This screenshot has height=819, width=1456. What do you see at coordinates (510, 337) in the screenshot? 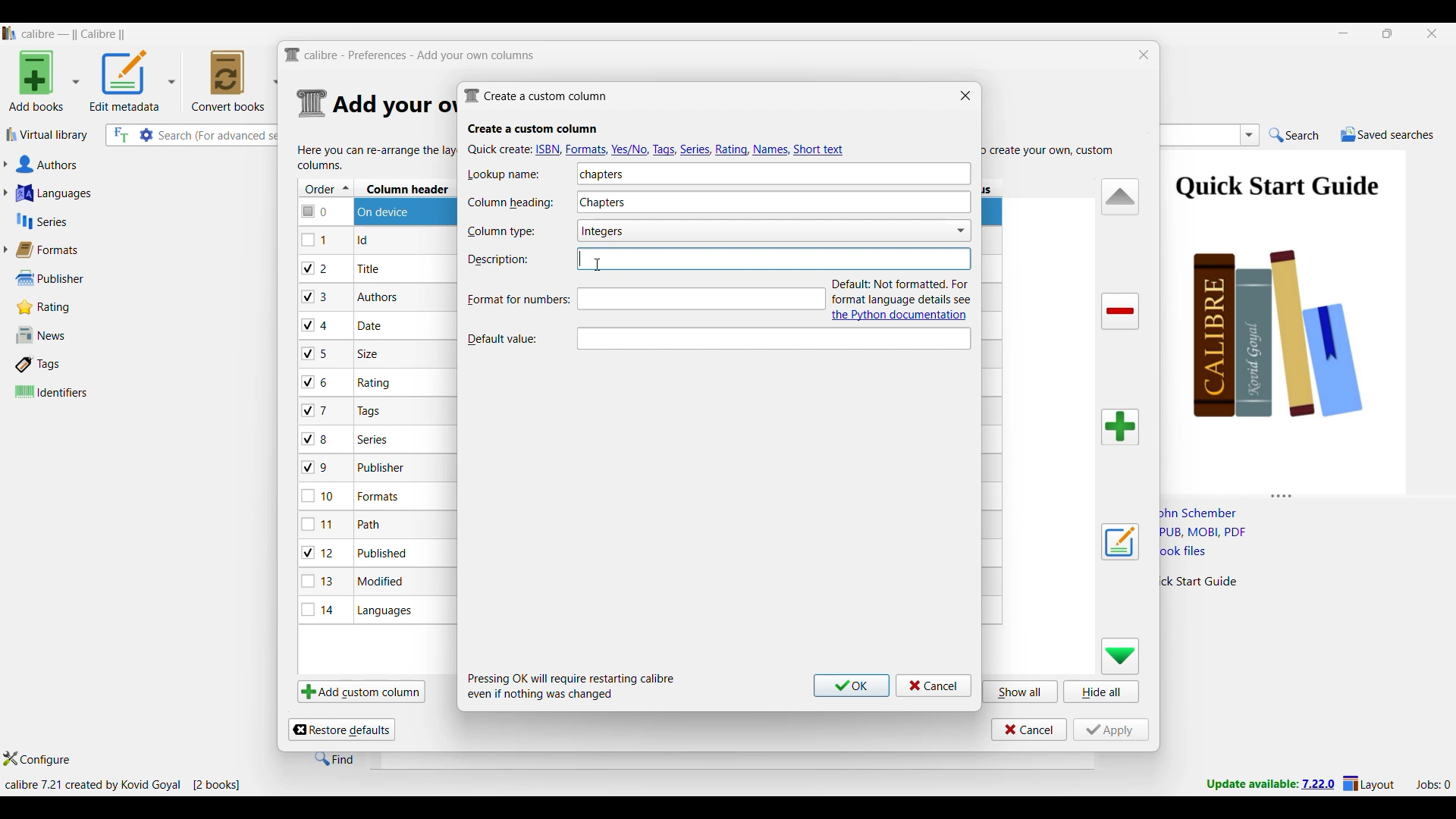
I see `Indicates Default value text box` at bounding box center [510, 337].